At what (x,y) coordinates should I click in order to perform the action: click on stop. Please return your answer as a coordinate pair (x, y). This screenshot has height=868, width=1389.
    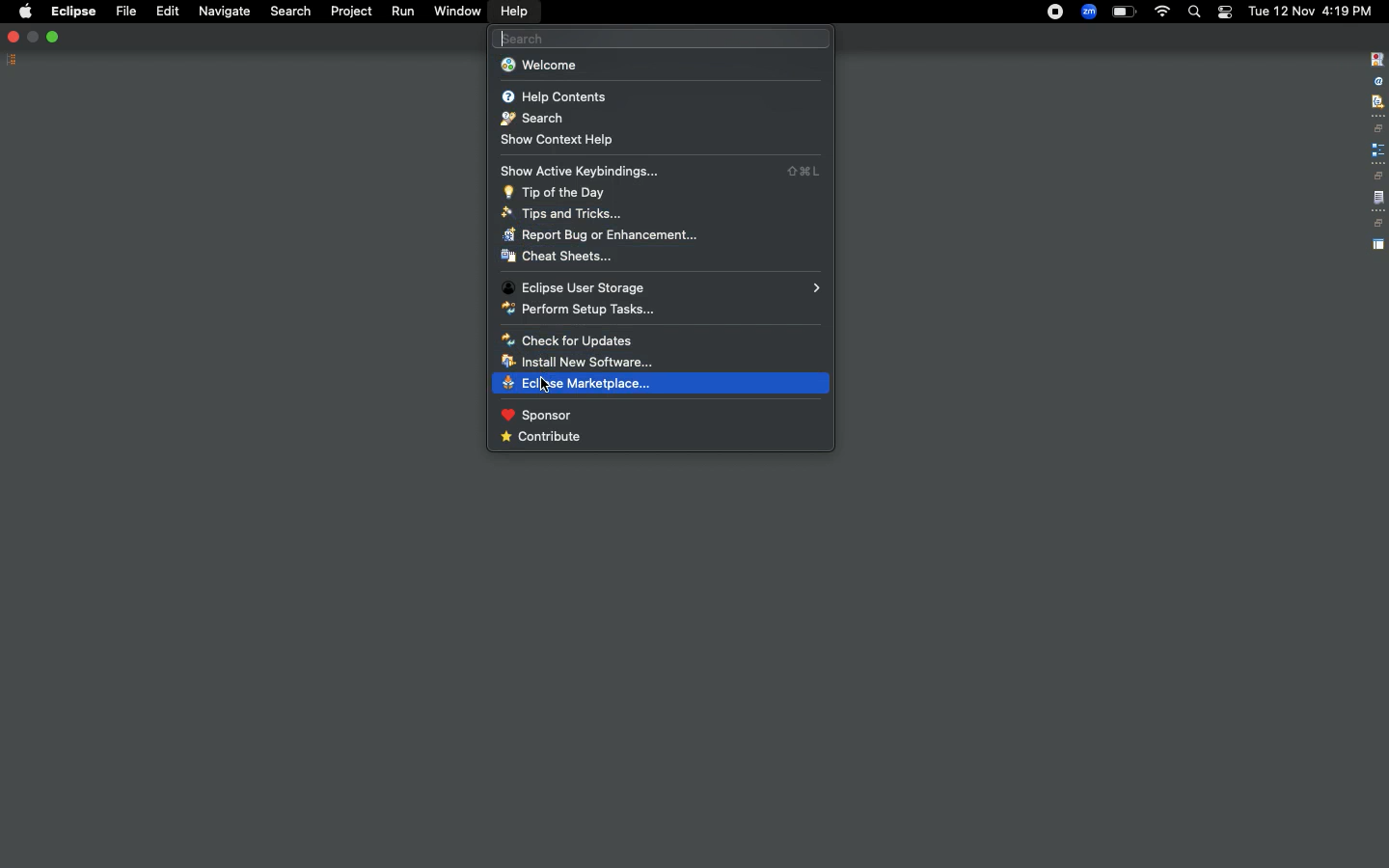
    Looking at the image, I should click on (1376, 60).